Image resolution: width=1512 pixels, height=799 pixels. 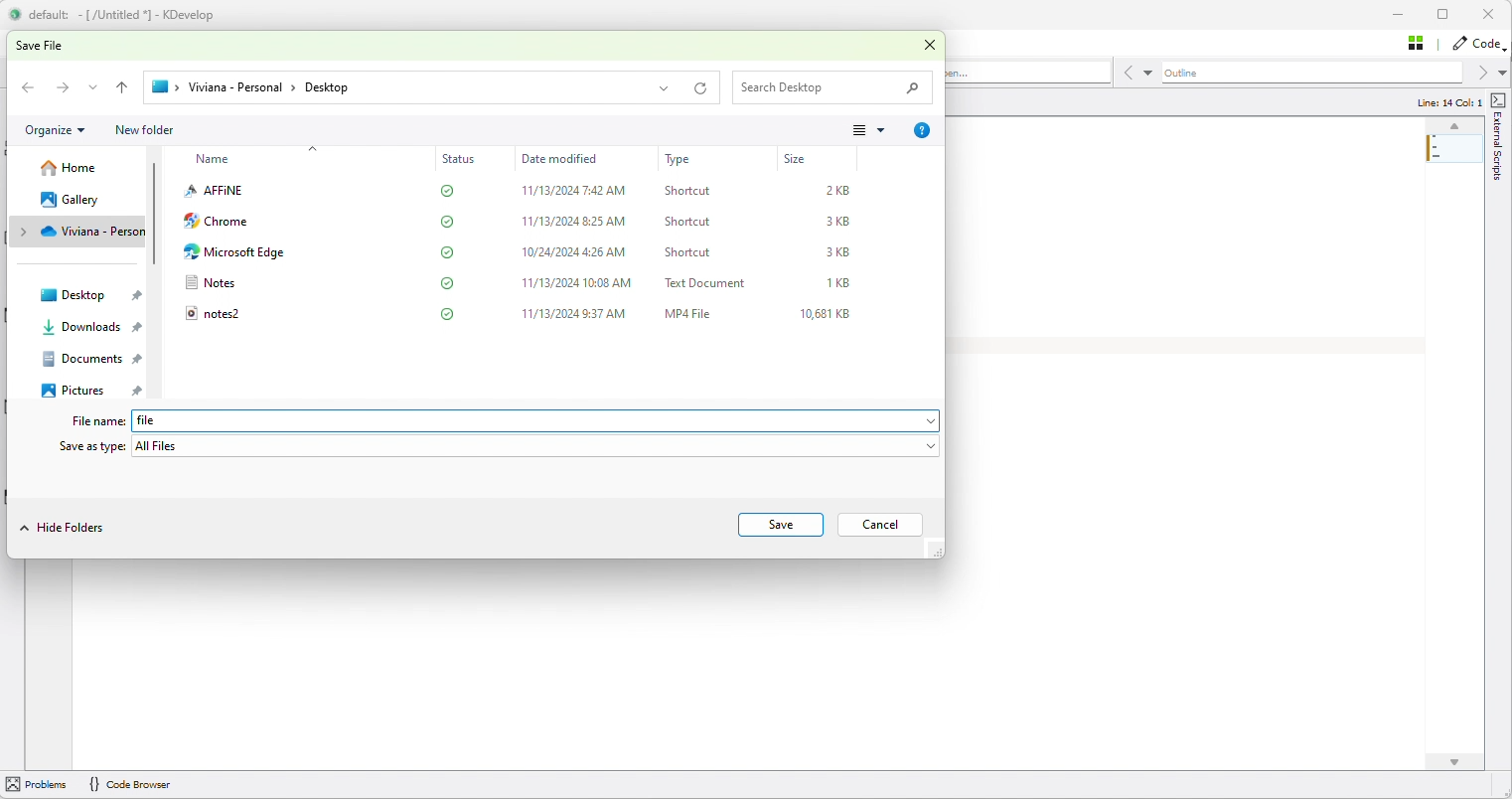 I want to click on 10/24/2024 4:26 AM, so click(x=576, y=252).